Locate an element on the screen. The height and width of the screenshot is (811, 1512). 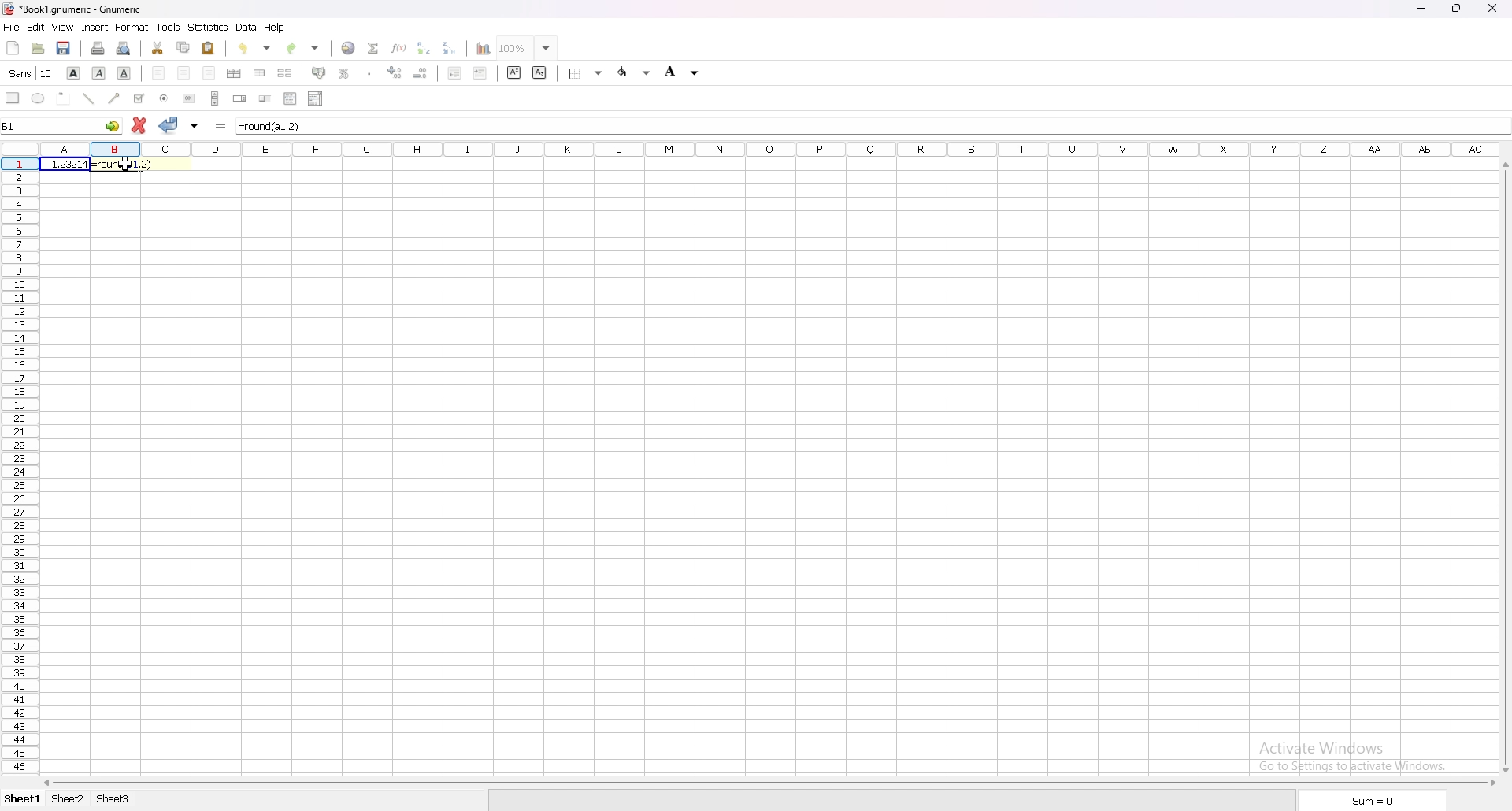
combo box is located at coordinates (315, 98).